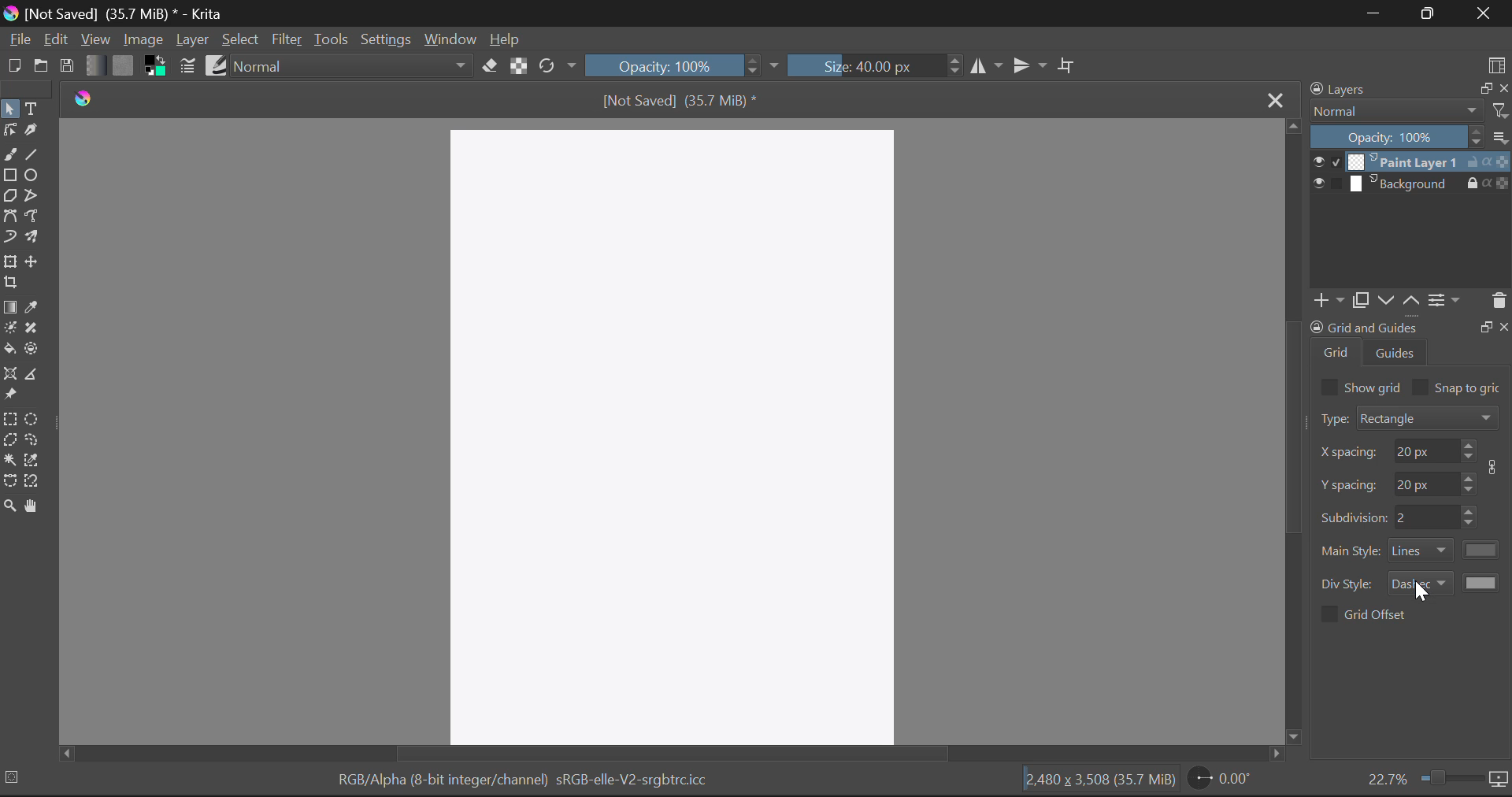 This screenshot has height=797, width=1512. I want to click on Crop, so click(1069, 65).